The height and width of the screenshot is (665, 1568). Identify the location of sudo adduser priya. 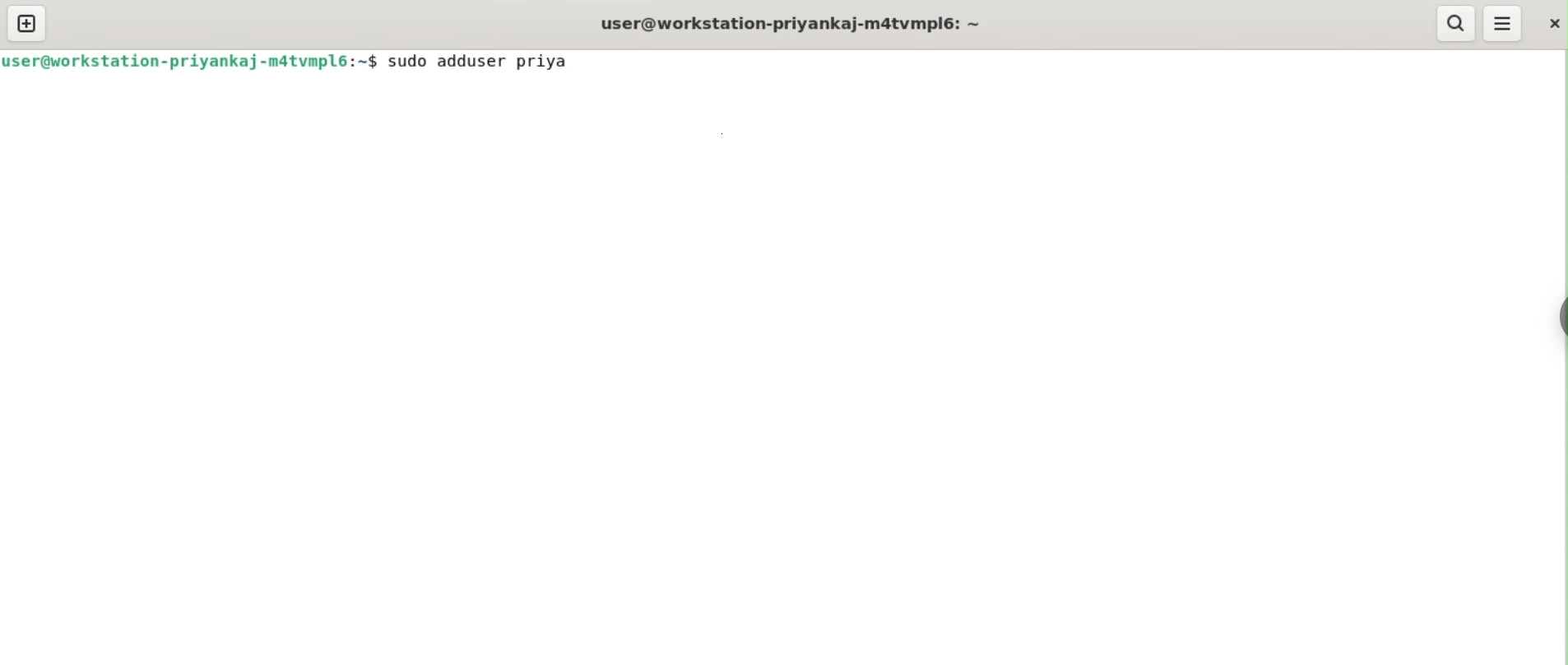
(495, 63).